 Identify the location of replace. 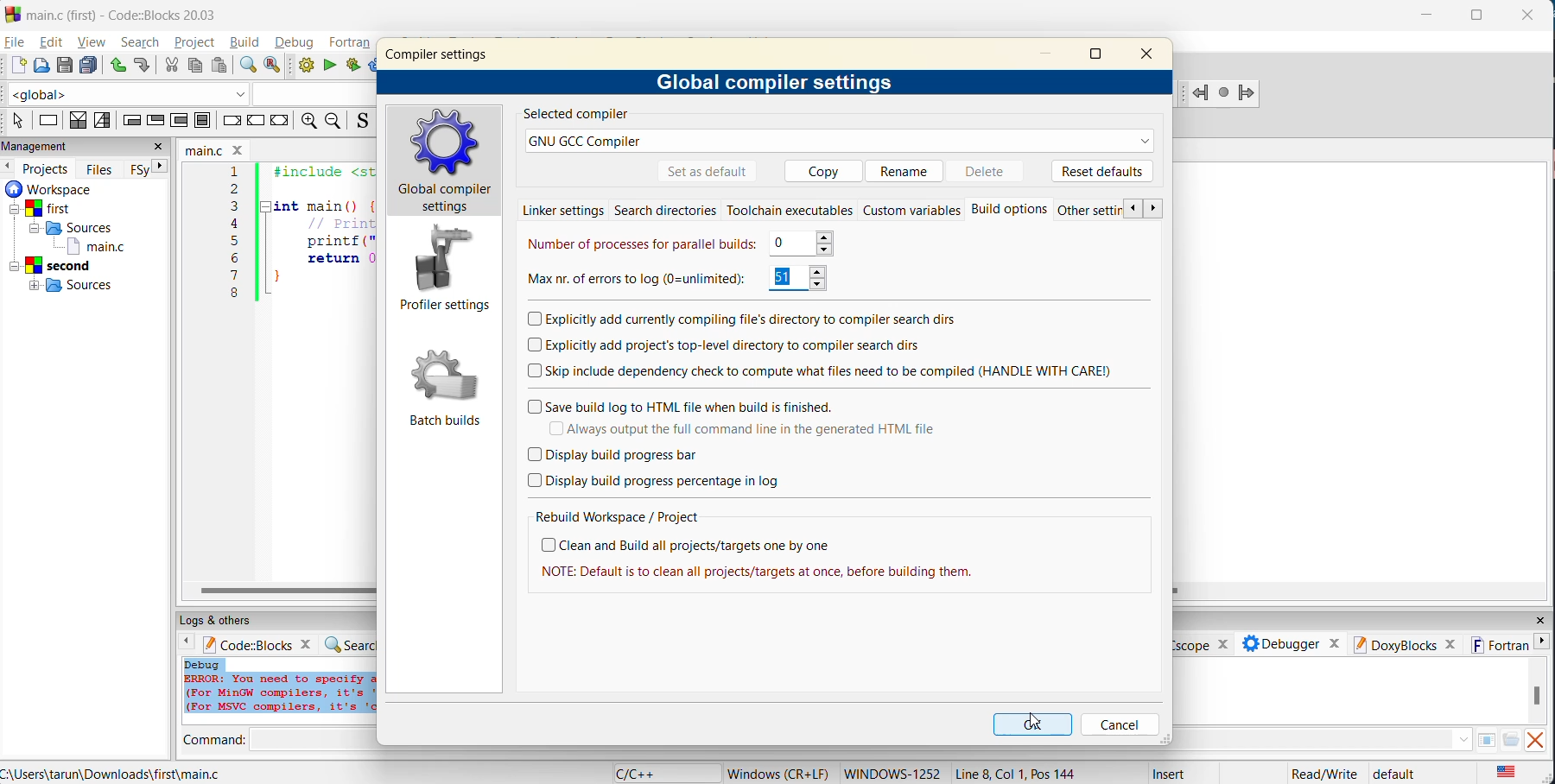
(274, 67).